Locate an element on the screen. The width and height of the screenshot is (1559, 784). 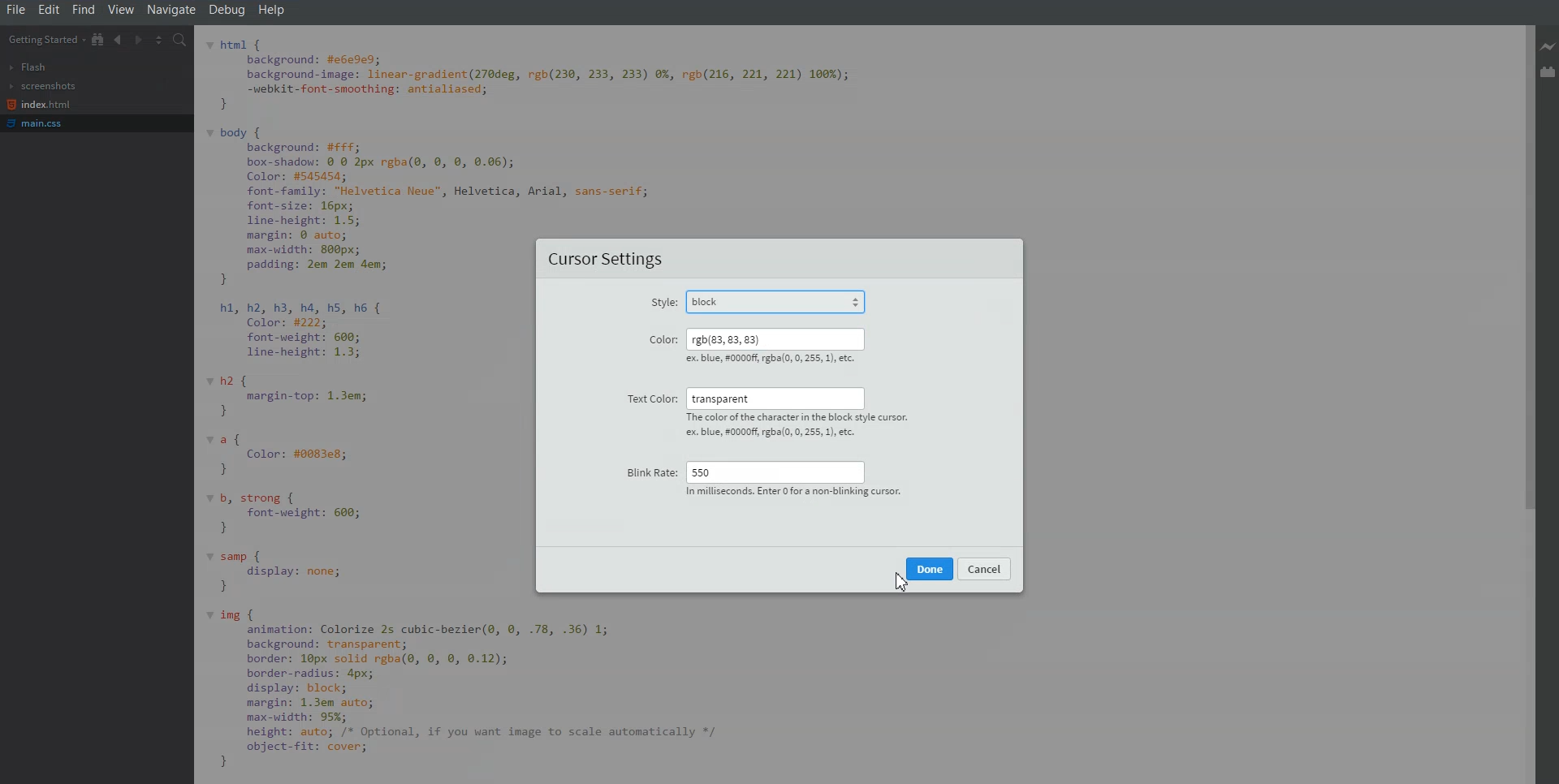
Blink Rate is located at coordinates (649, 467).